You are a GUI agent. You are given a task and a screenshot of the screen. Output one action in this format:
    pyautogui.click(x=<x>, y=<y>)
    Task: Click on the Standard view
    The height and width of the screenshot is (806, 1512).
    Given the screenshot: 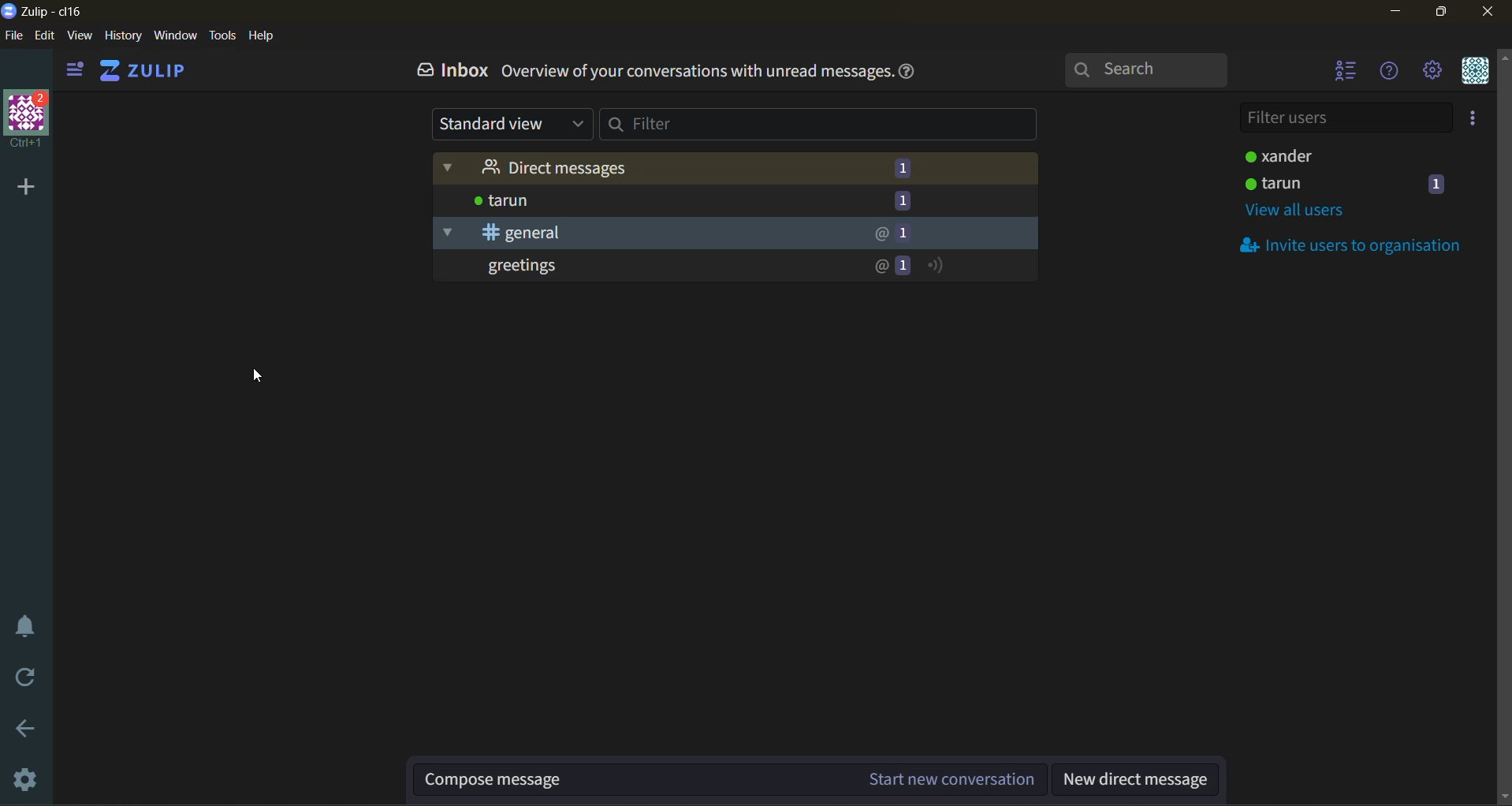 What is the action you would take?
    pyautogui.click(x=512, y=122)
    